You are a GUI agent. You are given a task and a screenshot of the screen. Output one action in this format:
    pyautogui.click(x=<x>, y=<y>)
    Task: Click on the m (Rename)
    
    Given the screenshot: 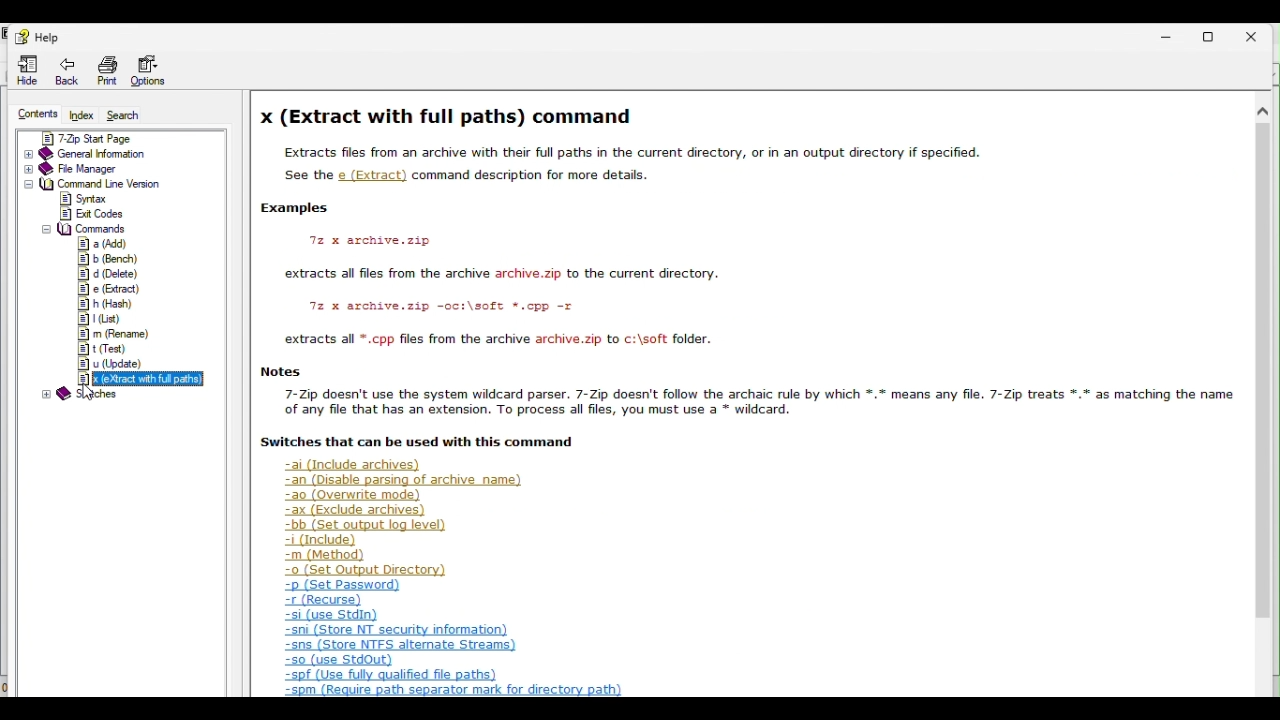 What is the action you would take?
    pyautogui.click(x=115, y=333)
    